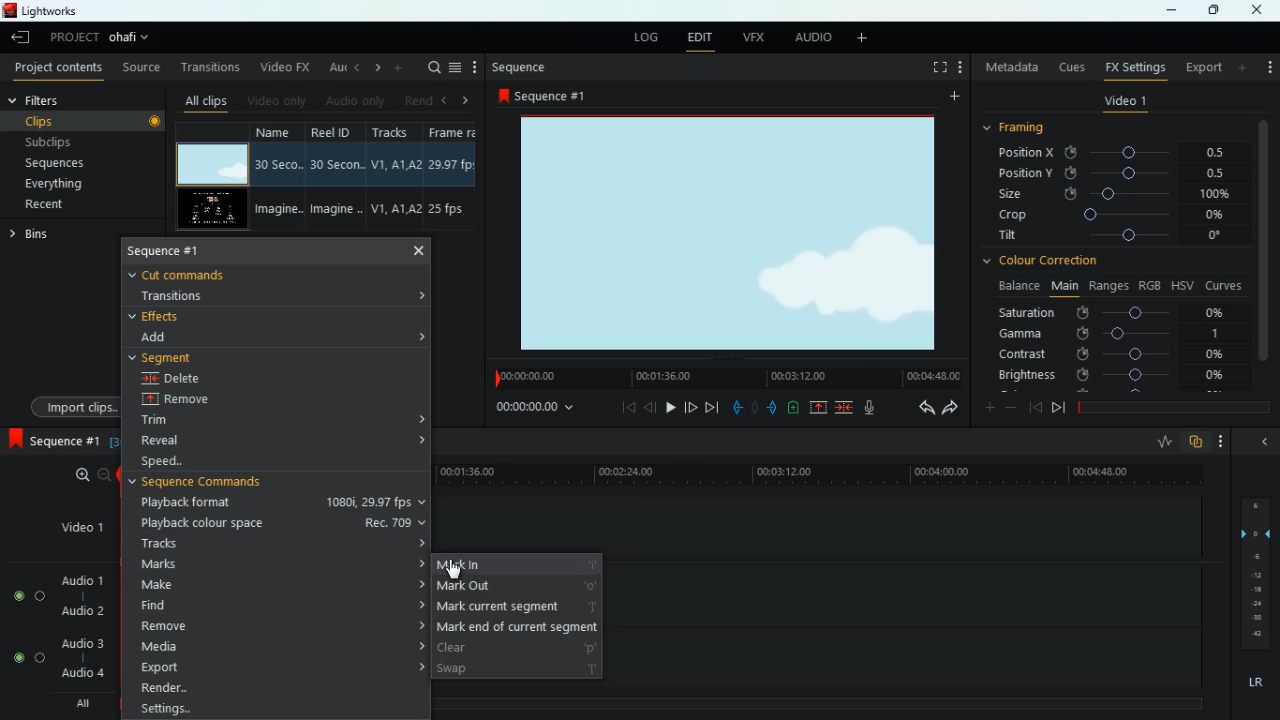  I want to click on project ohafi, so click(106, 39).